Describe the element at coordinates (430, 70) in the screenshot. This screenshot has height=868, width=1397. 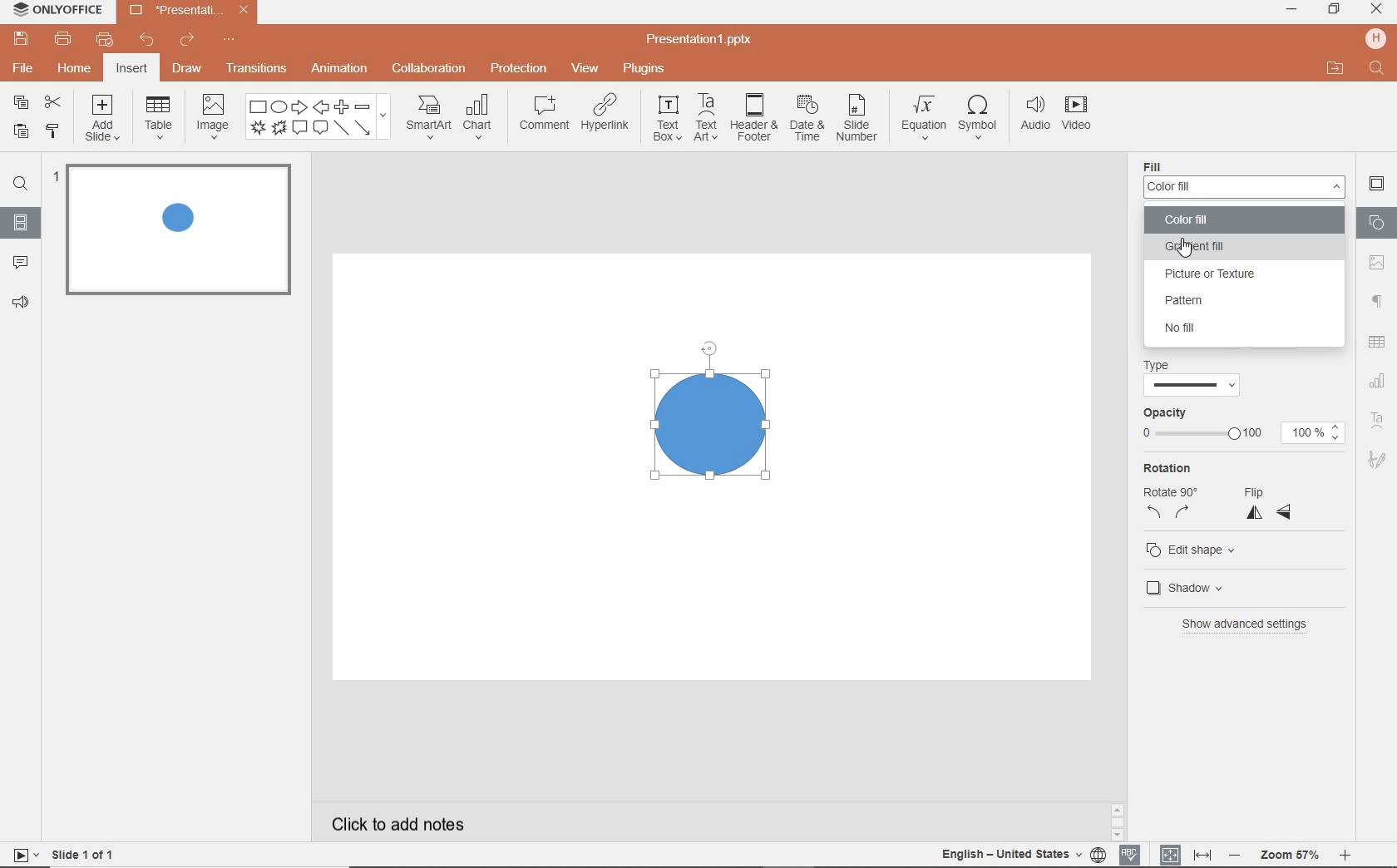
I see `collaboration` at that location.